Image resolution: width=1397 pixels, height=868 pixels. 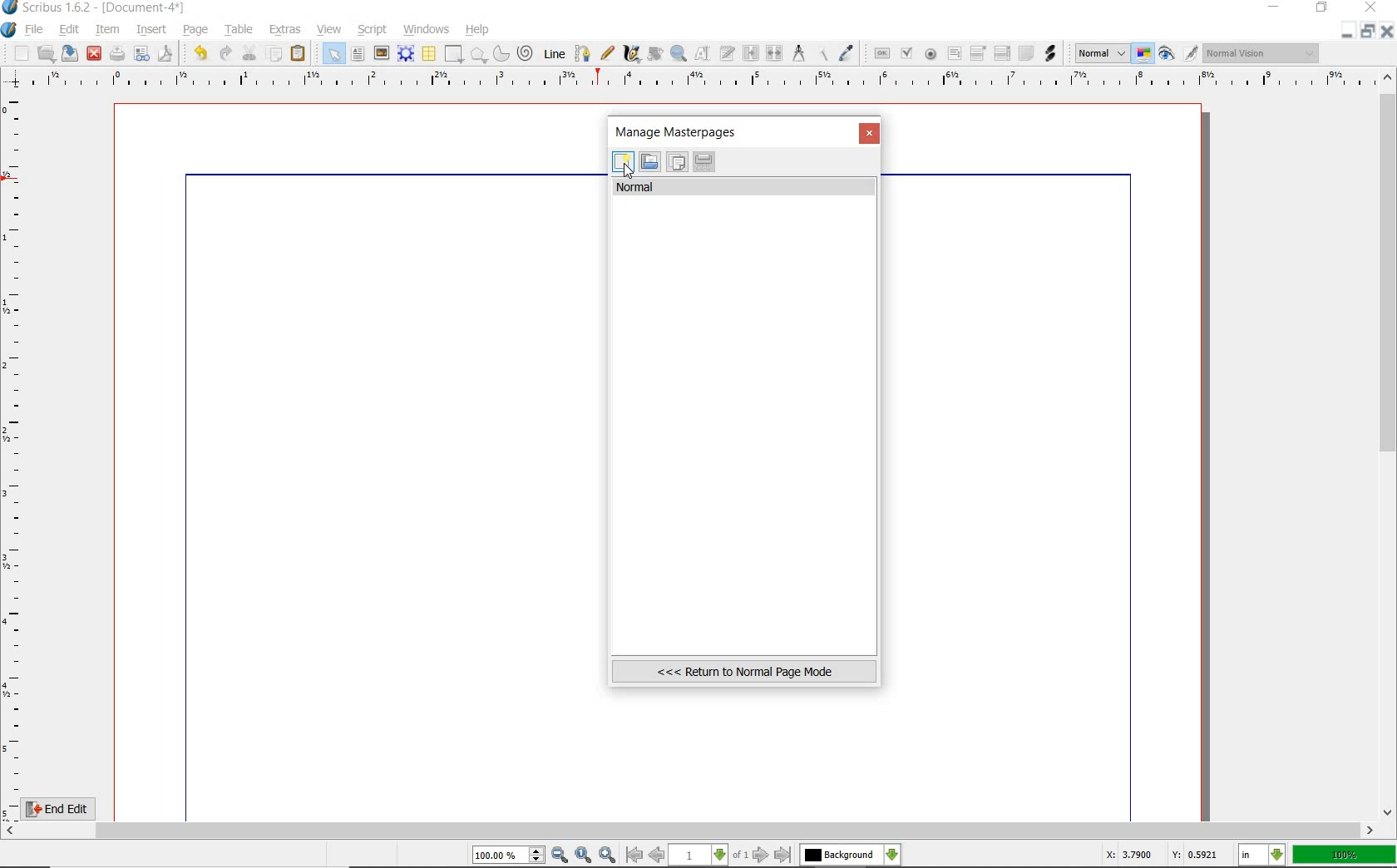 I want to click on eye dropper, so click(x=847, y=53).